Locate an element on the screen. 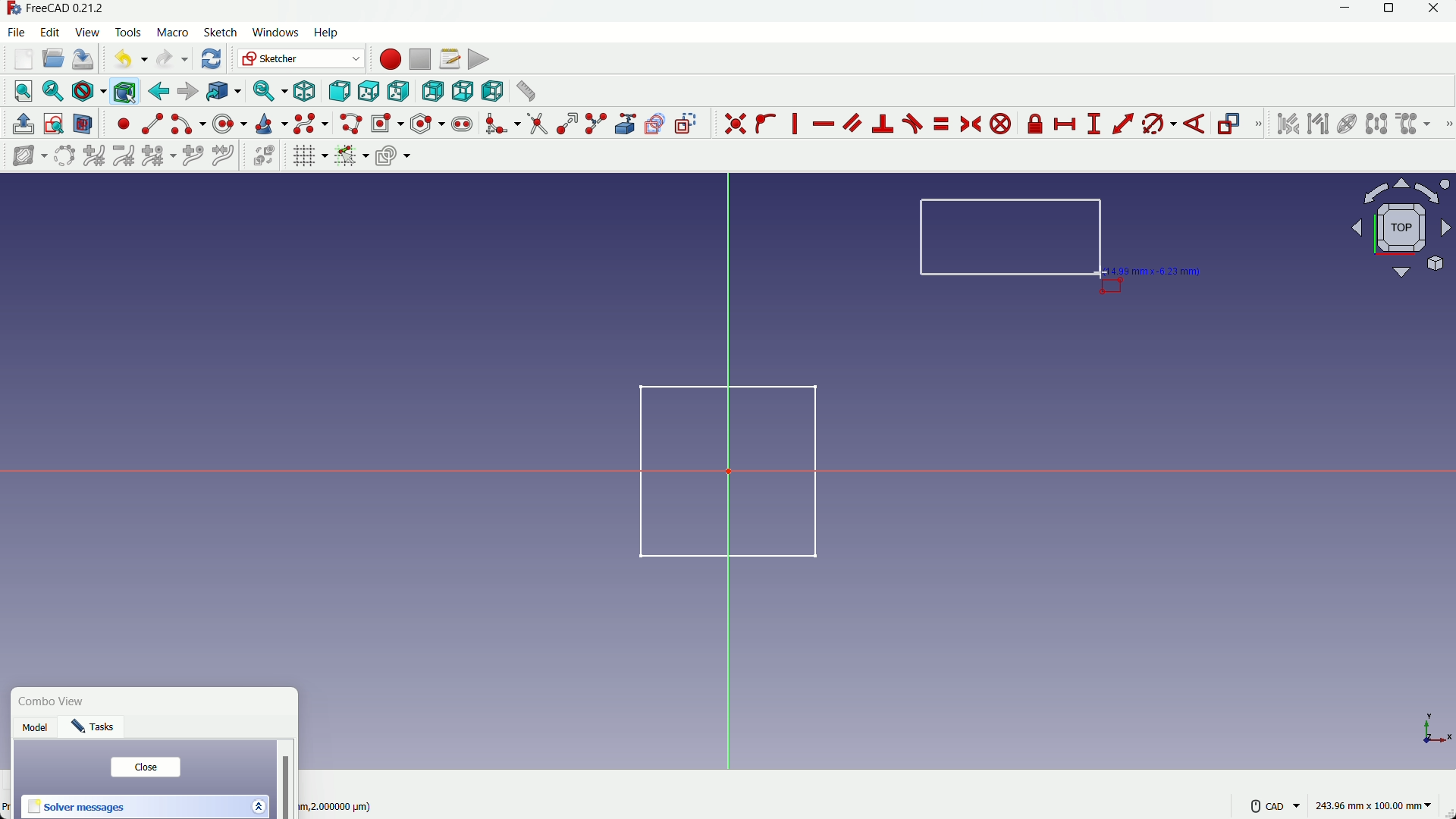 The image size is (1456, 819). constraint horizontal is located at coordinates (823, 125).